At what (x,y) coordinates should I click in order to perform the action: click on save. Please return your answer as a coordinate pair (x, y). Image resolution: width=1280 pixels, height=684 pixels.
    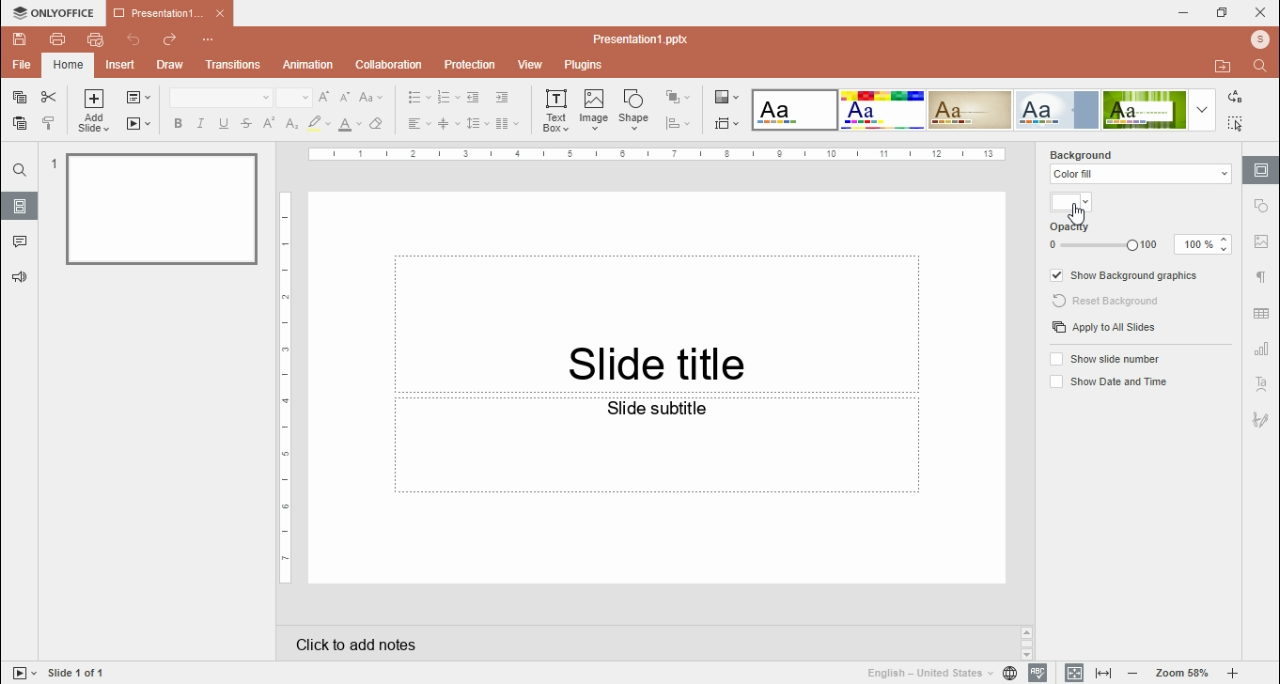
    Looking at the image, I should click on (20, 38).